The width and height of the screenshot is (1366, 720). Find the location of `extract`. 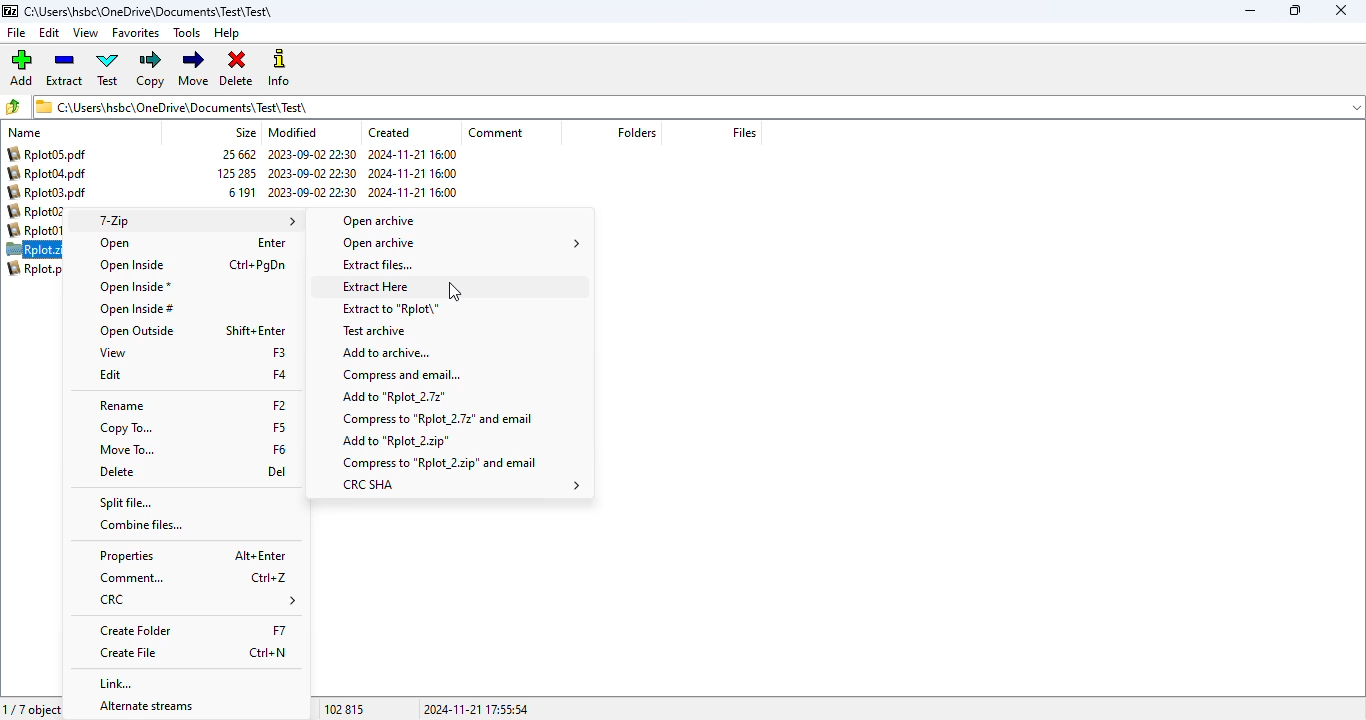

extract is located at coordinates (66, 68).